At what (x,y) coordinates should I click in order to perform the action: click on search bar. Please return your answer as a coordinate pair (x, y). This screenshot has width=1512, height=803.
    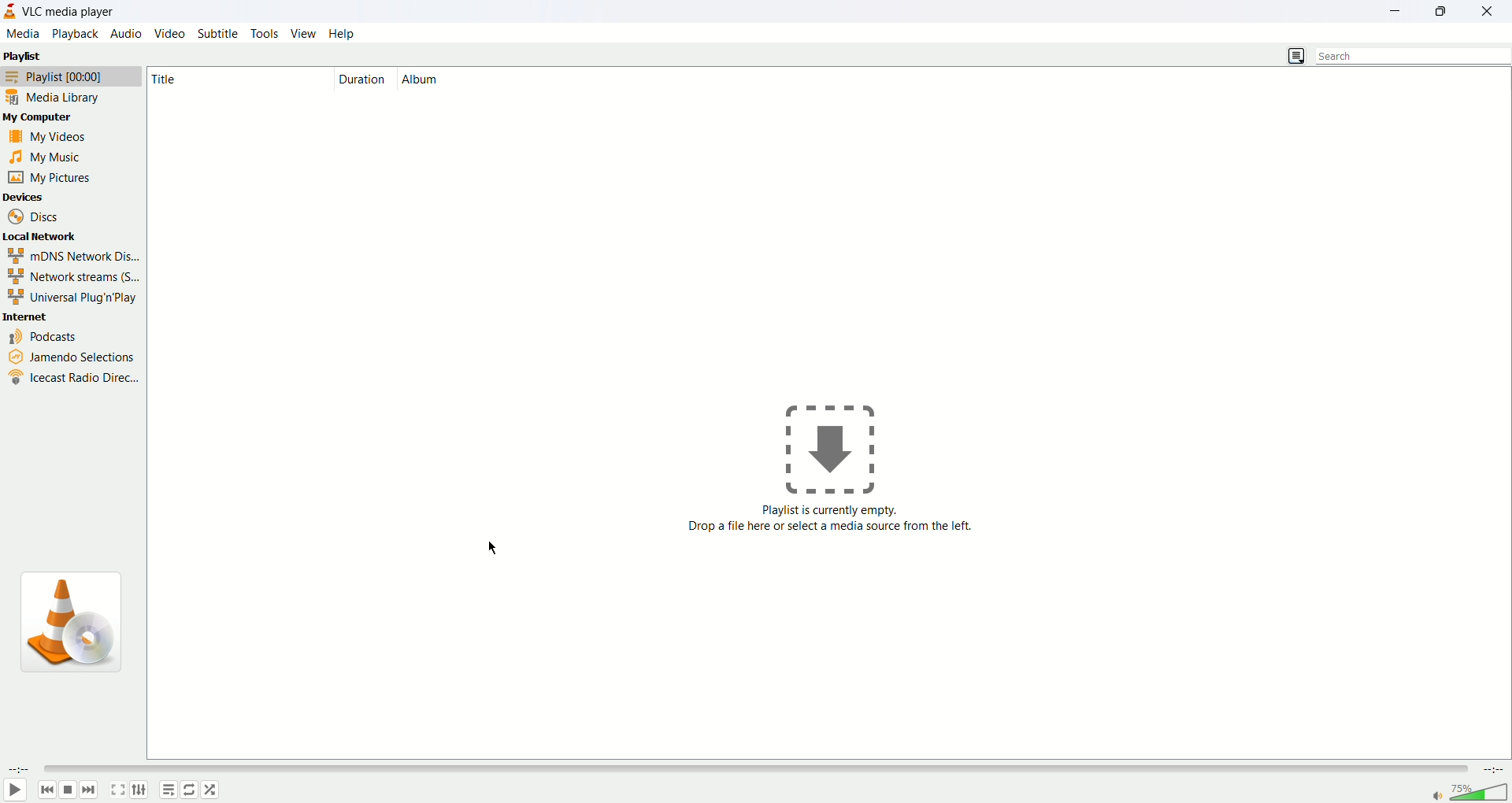
    Looking at the image, I should click on (1412, 54).